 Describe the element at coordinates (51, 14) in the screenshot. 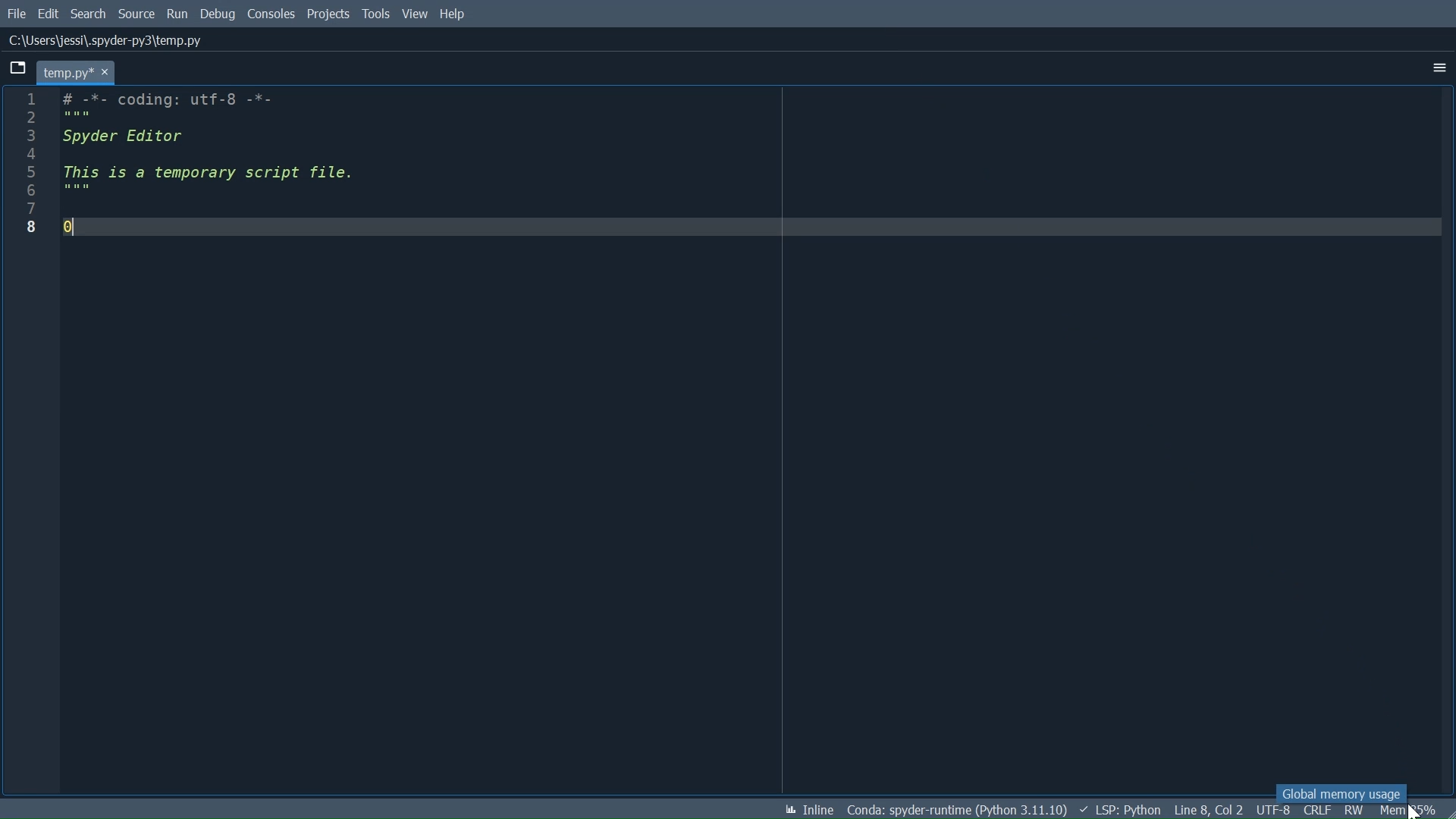

I see `Edit` at that location.